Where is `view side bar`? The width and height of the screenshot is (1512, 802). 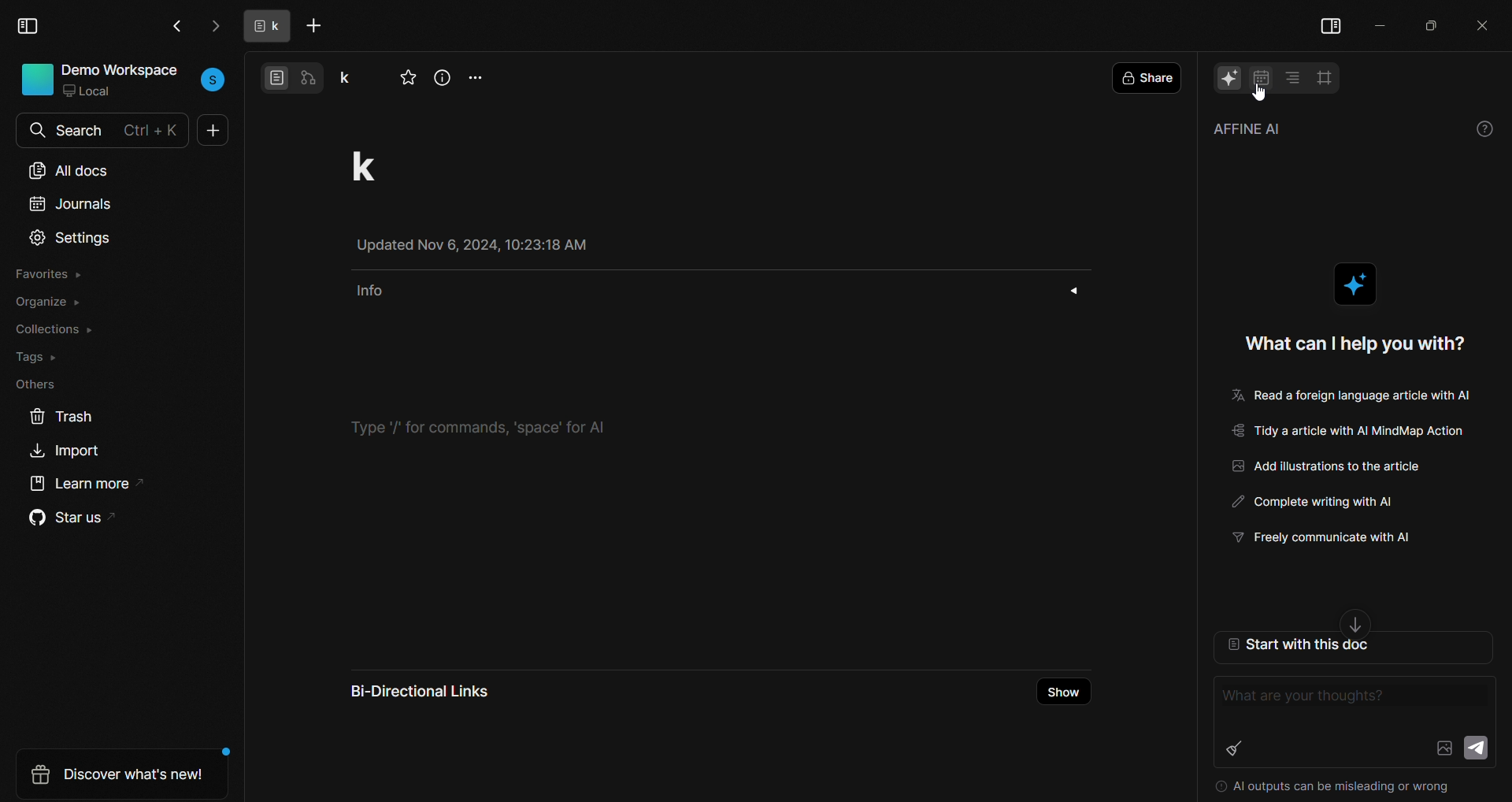 view side bar is located at coordinates (1331, 22).